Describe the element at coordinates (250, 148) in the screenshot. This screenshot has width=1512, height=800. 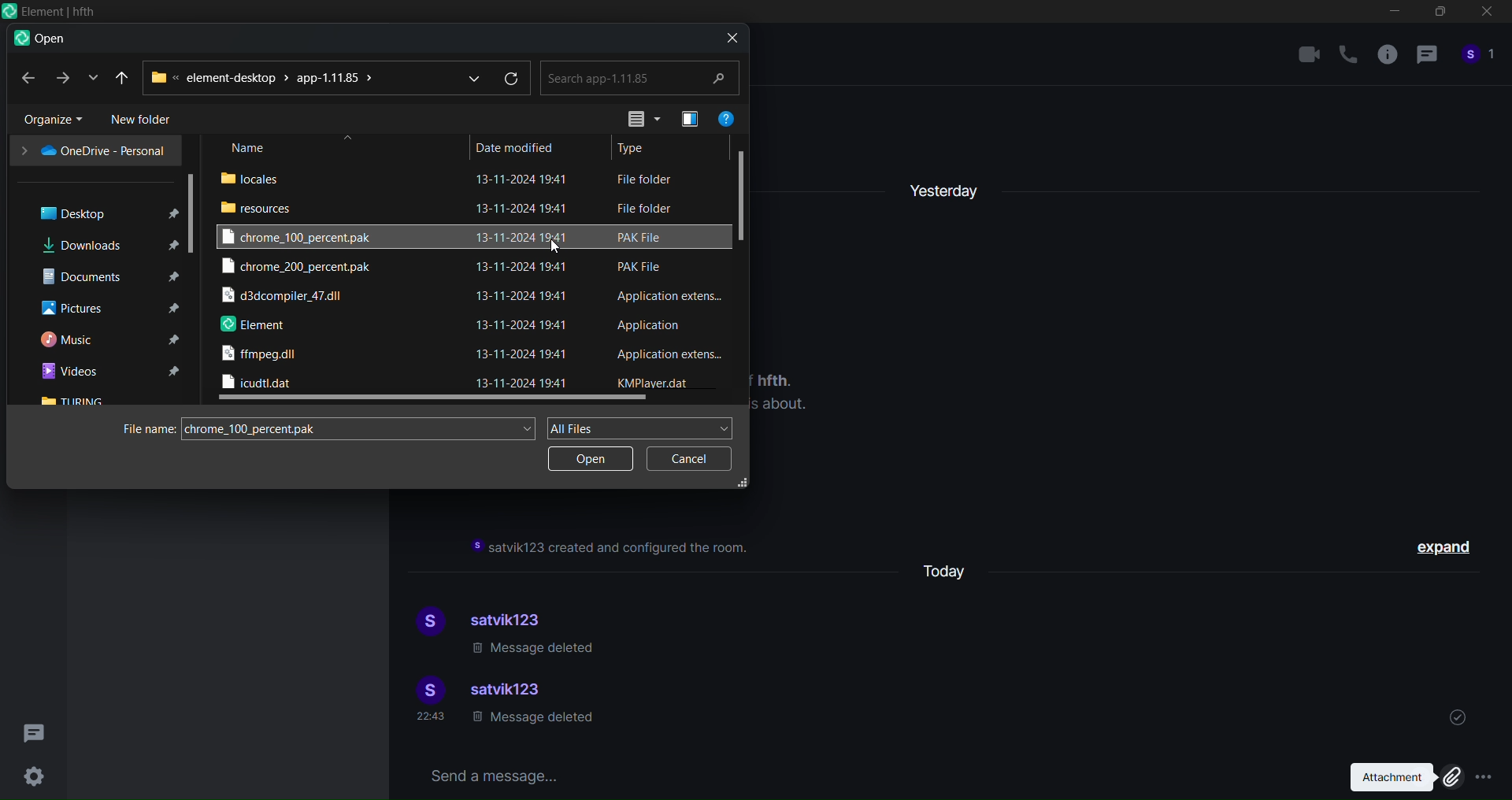
I see `name` at that location.